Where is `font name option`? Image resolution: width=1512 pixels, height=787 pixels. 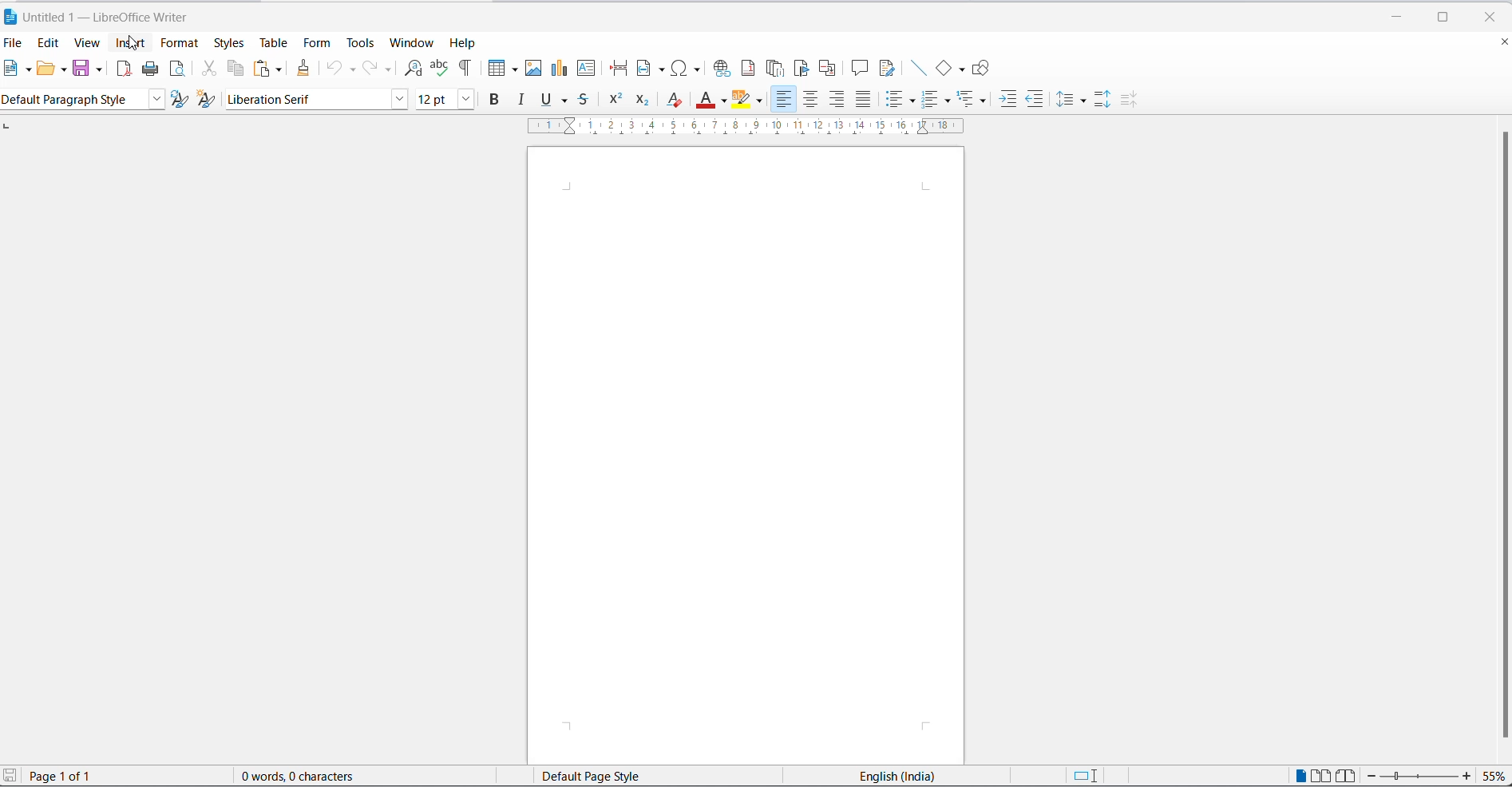
font name option is located at coordinates (398, 100).